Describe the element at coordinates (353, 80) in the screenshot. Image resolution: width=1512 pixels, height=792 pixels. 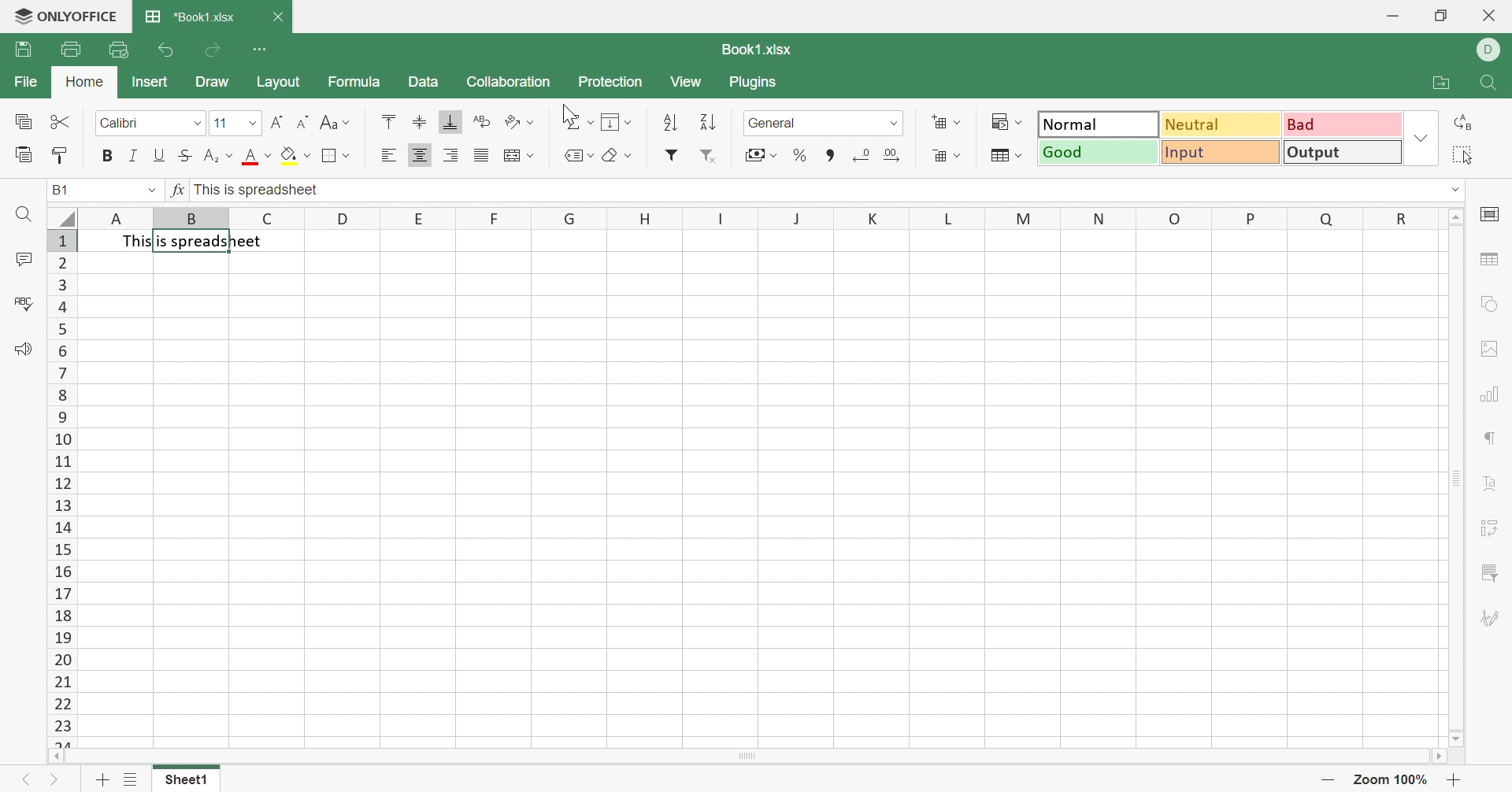
I see `Formula` at that location.